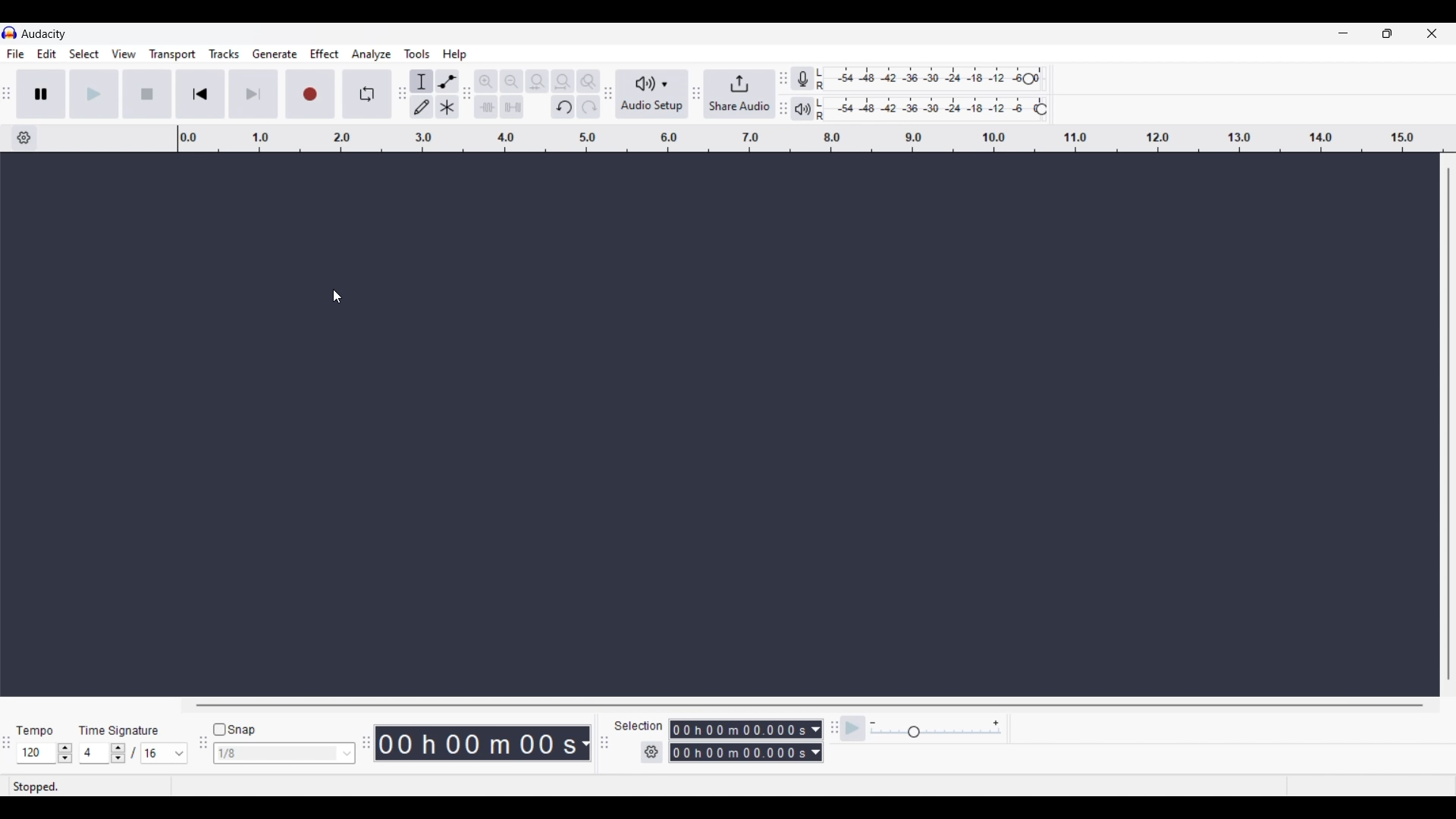  Describe the element at coordinates (173, 54) in the screenshot. I see `Transport menu` at that location.